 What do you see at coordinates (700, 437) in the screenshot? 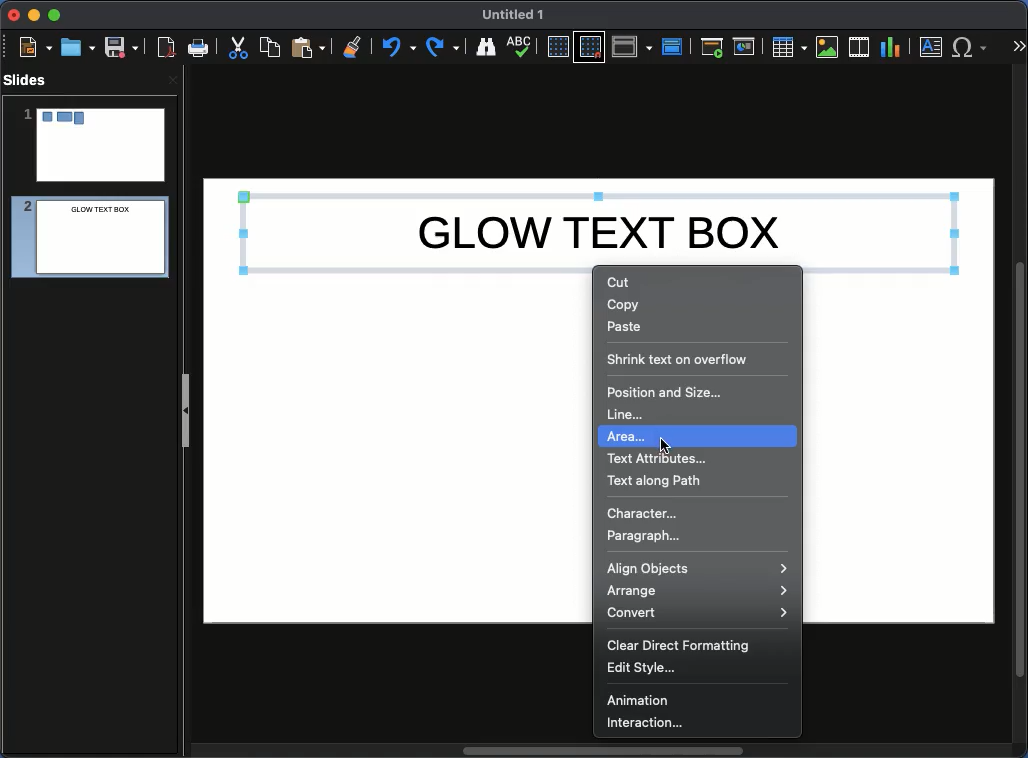
I see `Area` at bounding box center [700, 437].